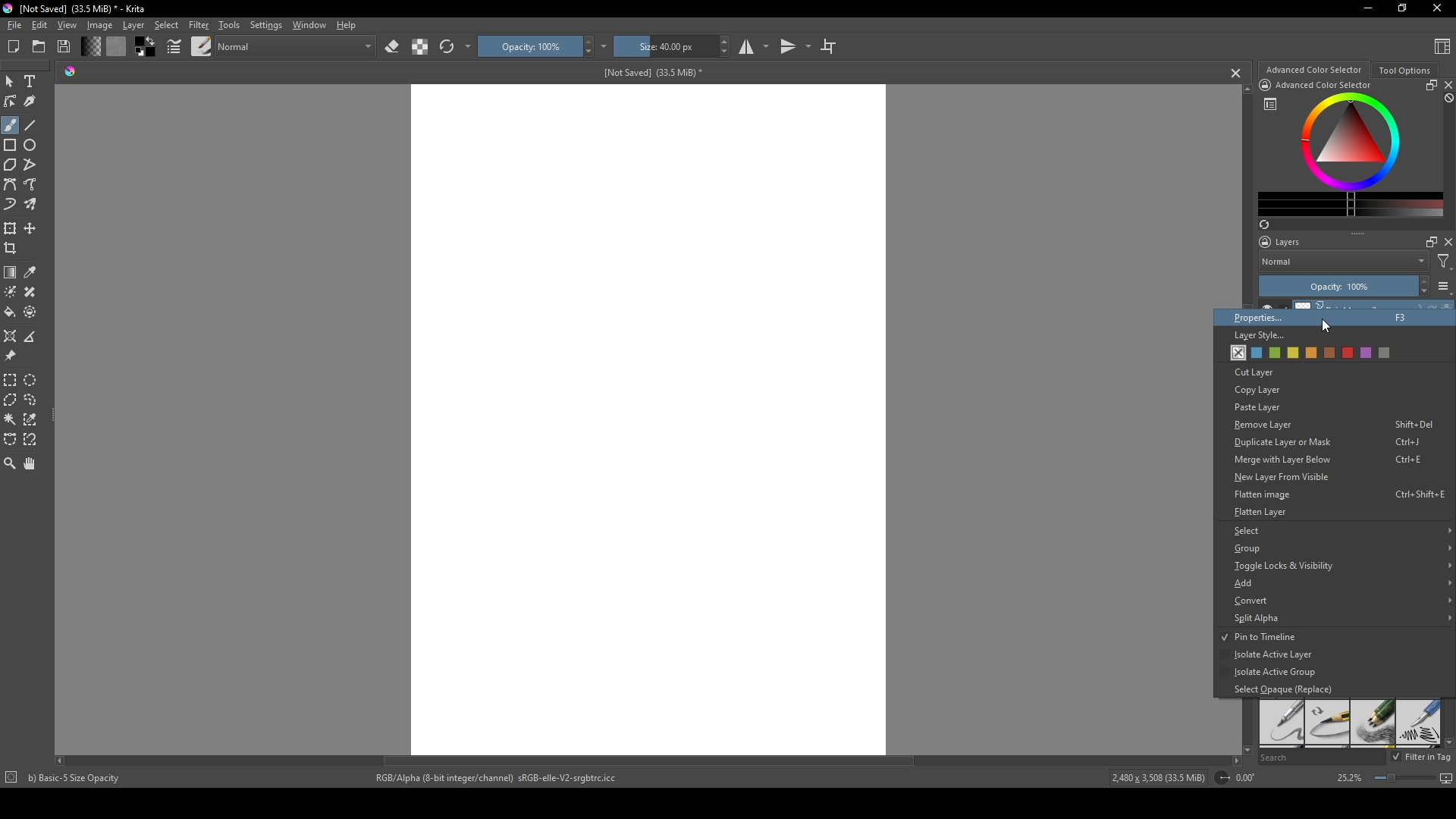 This screenshot has height=819, width=1456. What do you see at coordinates (39, 25) in the screenshot?
I see `Edit` at bounding box center [39, 25].